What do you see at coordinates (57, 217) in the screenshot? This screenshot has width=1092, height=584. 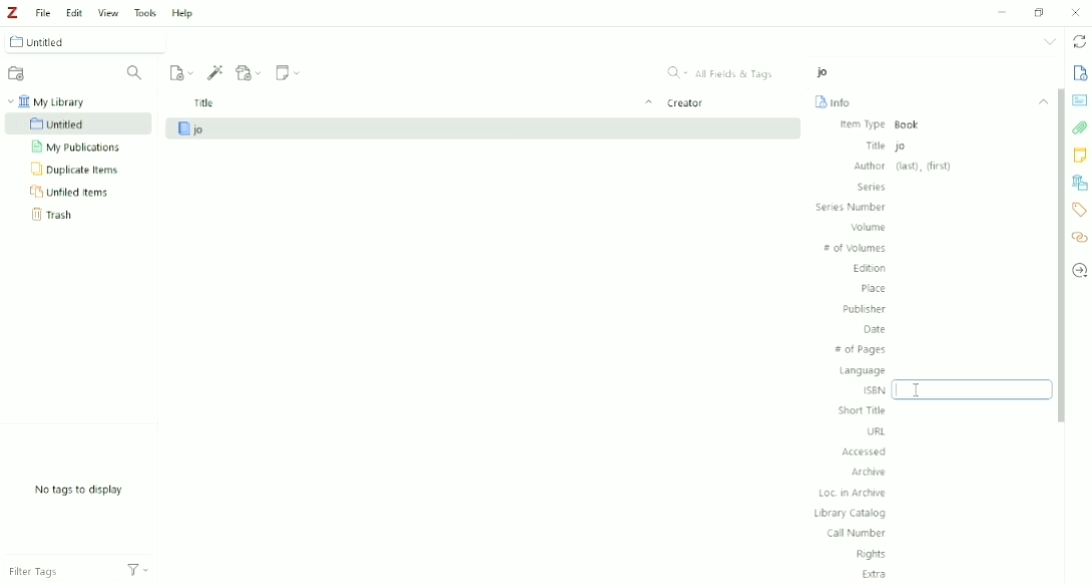 I see `Trash` at bounding box center [57, 217].